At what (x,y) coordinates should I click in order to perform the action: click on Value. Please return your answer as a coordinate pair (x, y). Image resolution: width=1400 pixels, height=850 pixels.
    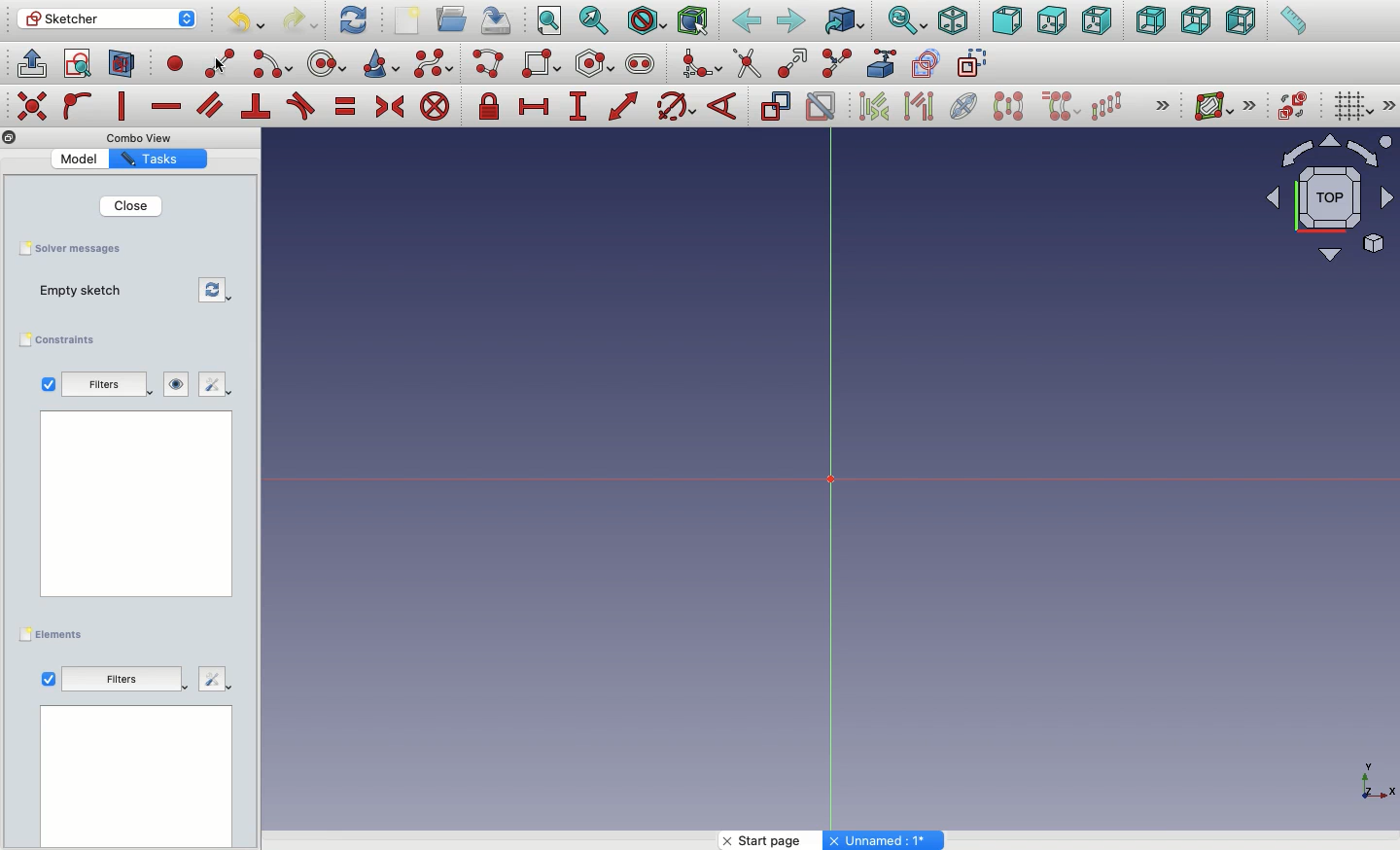
    Looking at the image, I should click on (79, 159).